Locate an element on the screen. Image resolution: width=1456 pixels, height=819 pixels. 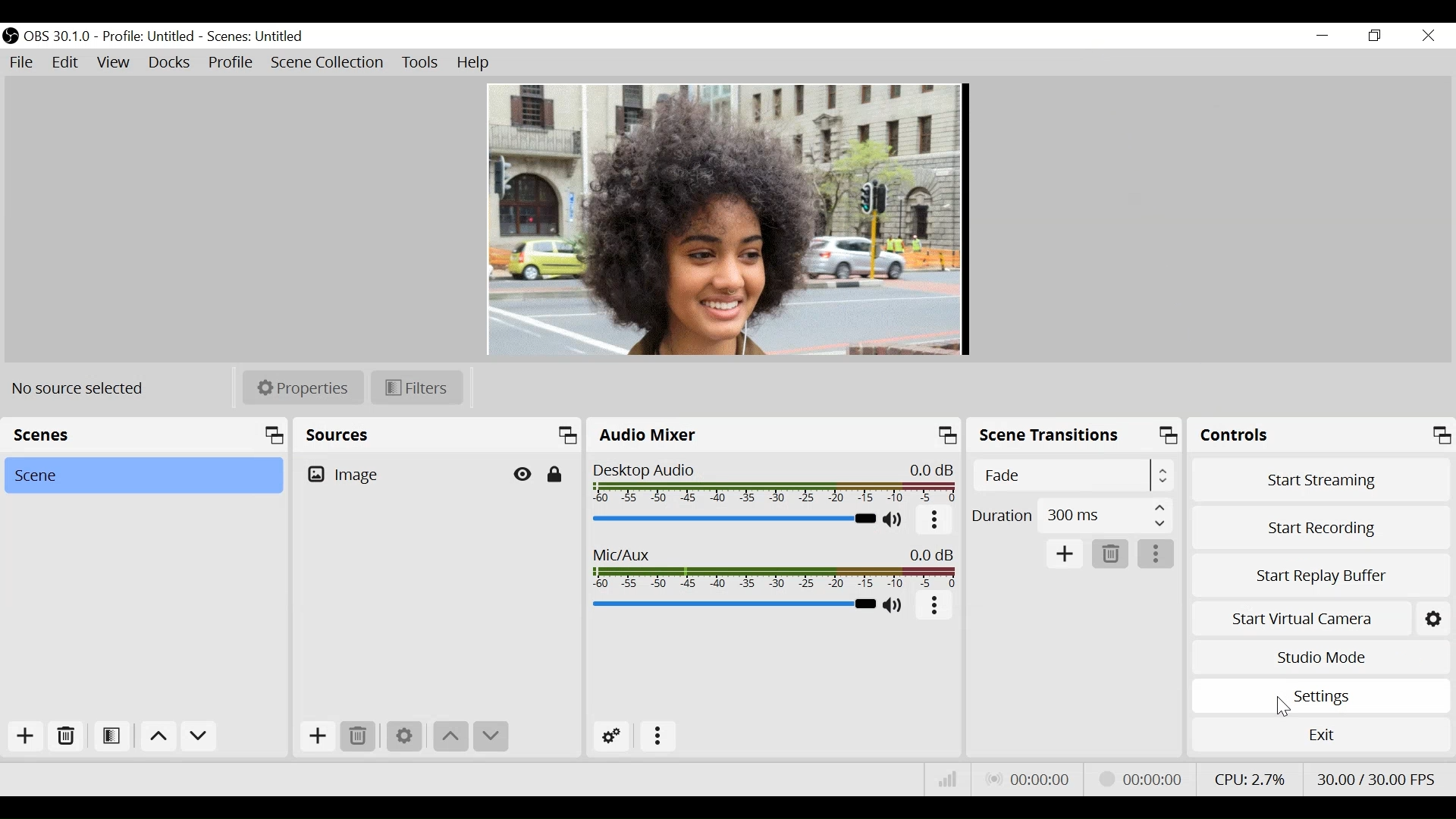
Profile is located at coordinates (230, 62).